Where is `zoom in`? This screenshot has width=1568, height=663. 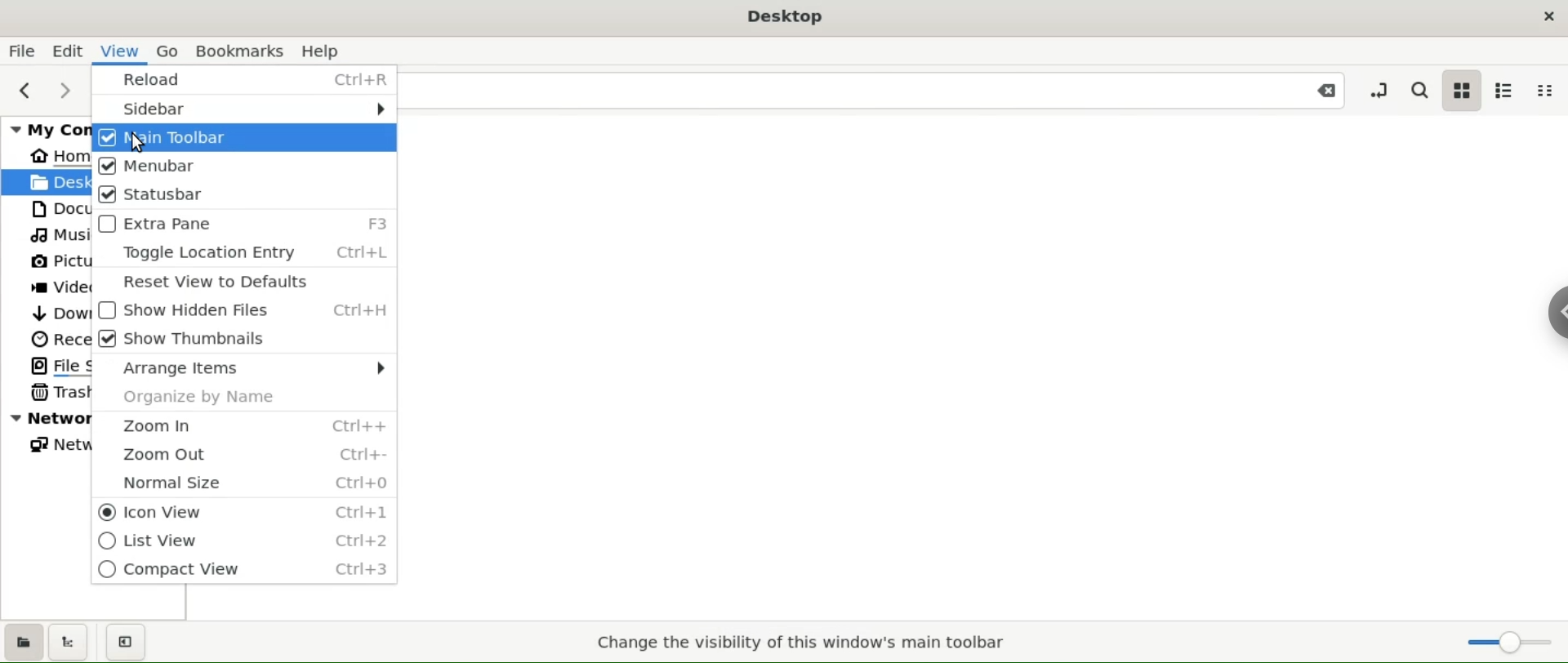 zoom in is located at coordinates (246, 429).